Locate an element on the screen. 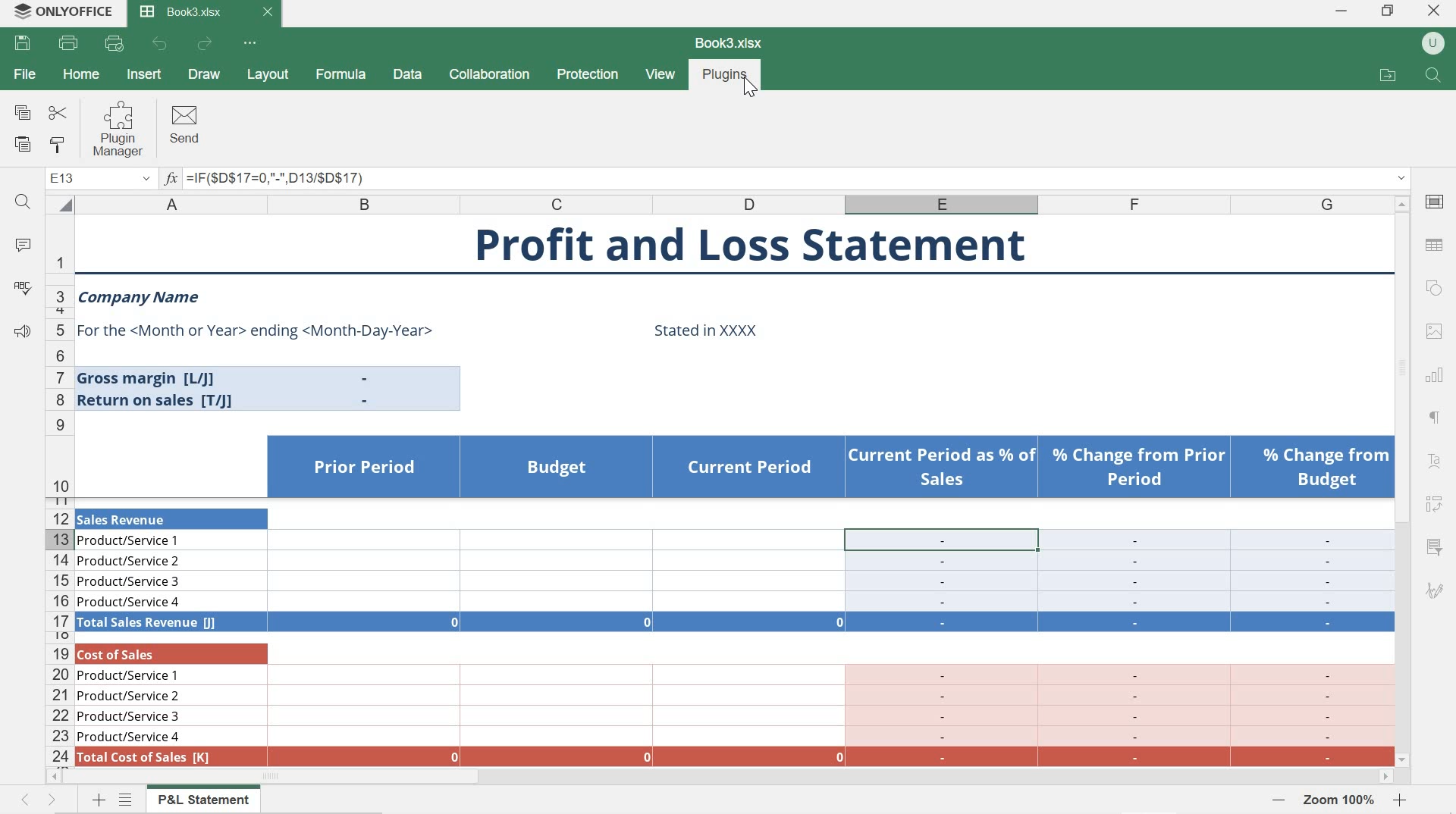 This screenshot has width=1456, height=814. Total Sales Revenue [J] is located at coordinates (149, 623).